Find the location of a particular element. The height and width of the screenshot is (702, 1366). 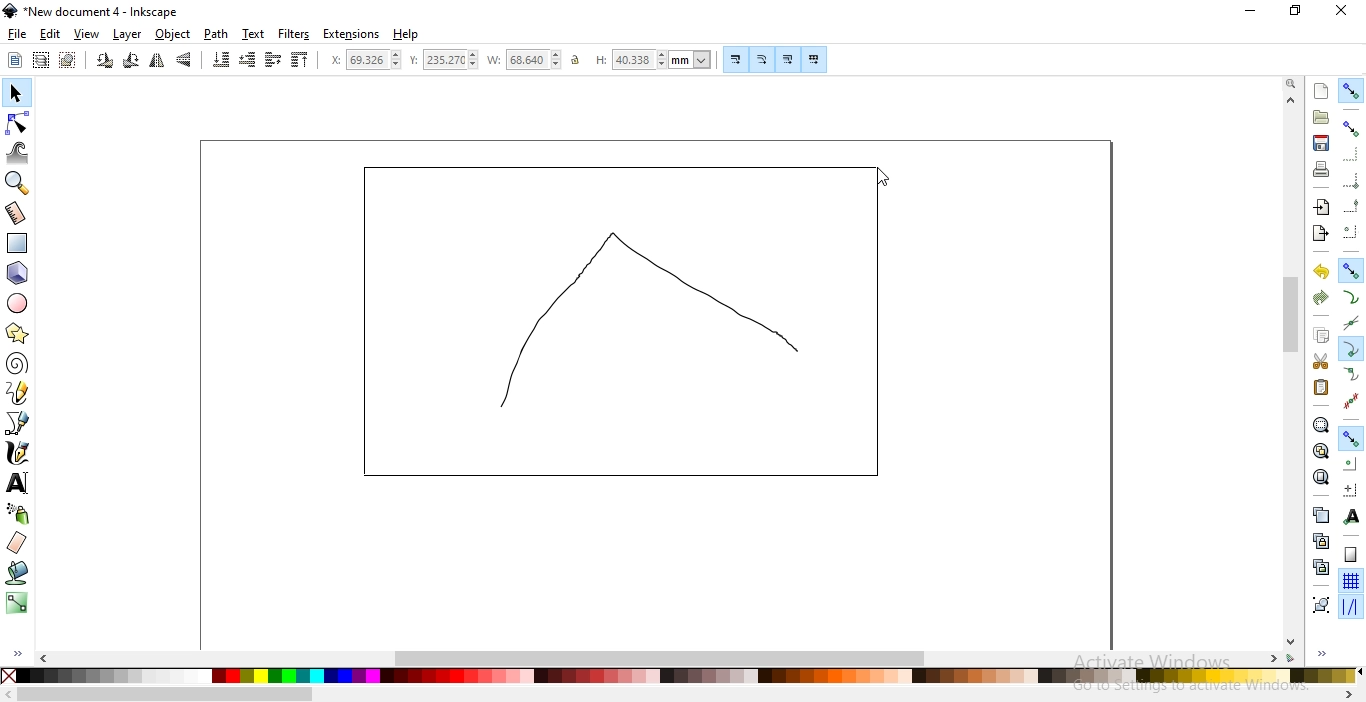

snap midpointsof bounding boxes edges is located at coordinates (1351, 206).